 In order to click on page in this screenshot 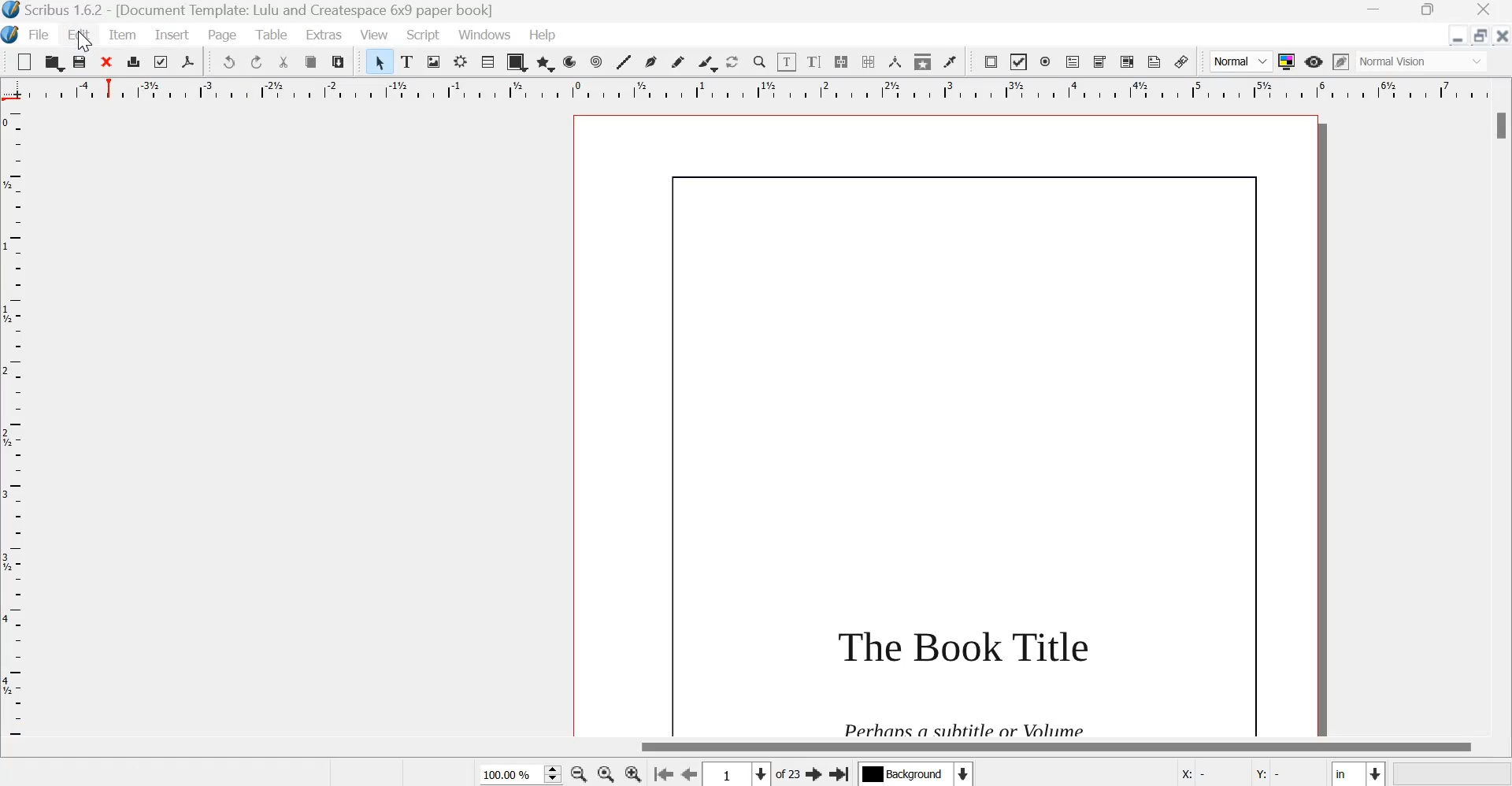, I will do `click(946, 426)`.